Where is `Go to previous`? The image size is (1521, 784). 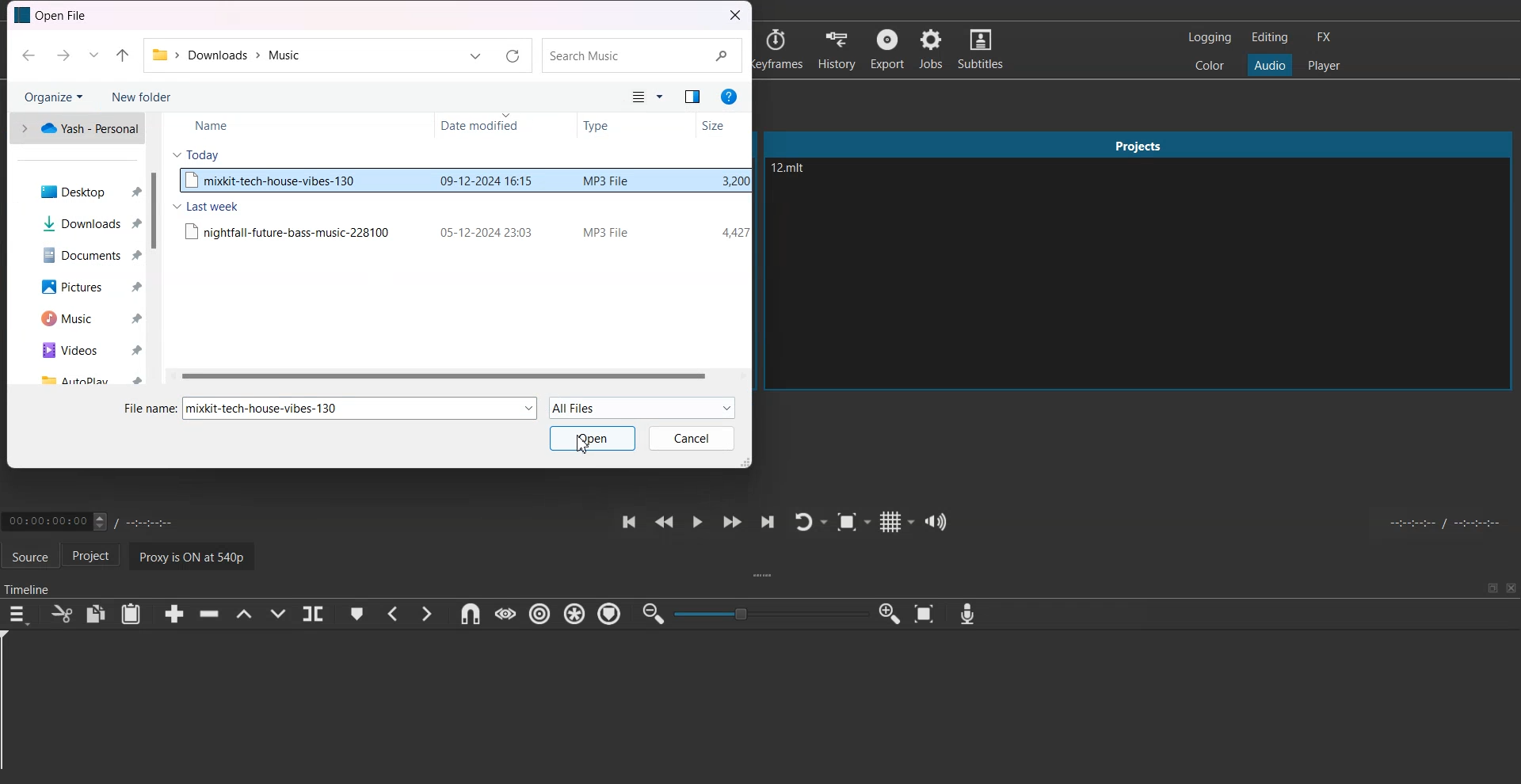
Go to previous is located at coordinates (475, 57).